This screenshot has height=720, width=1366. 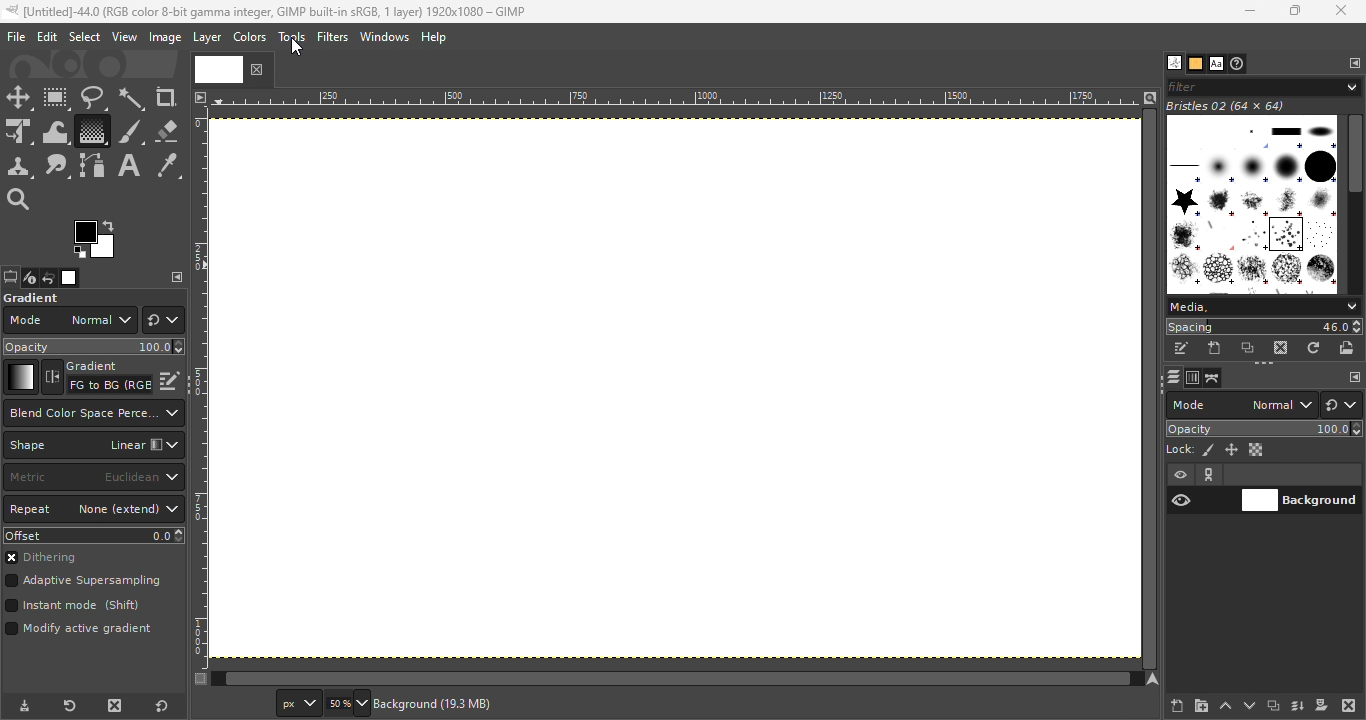 I want to click on Which color space to use when blending RGB gradient segments, so click(x=92, y=413).